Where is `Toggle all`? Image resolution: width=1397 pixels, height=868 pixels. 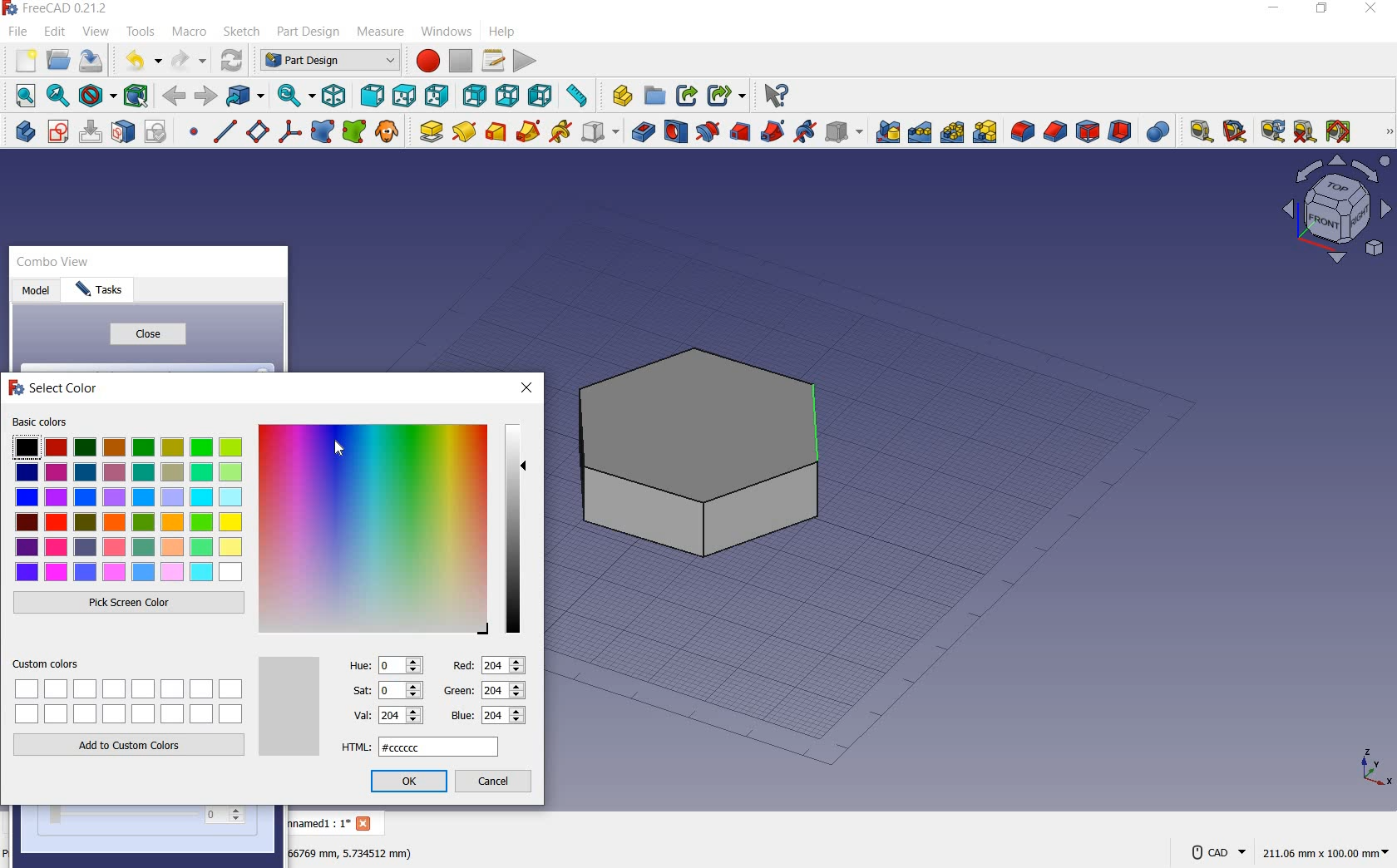
Toggle all is located at coordinates (1341, 133).